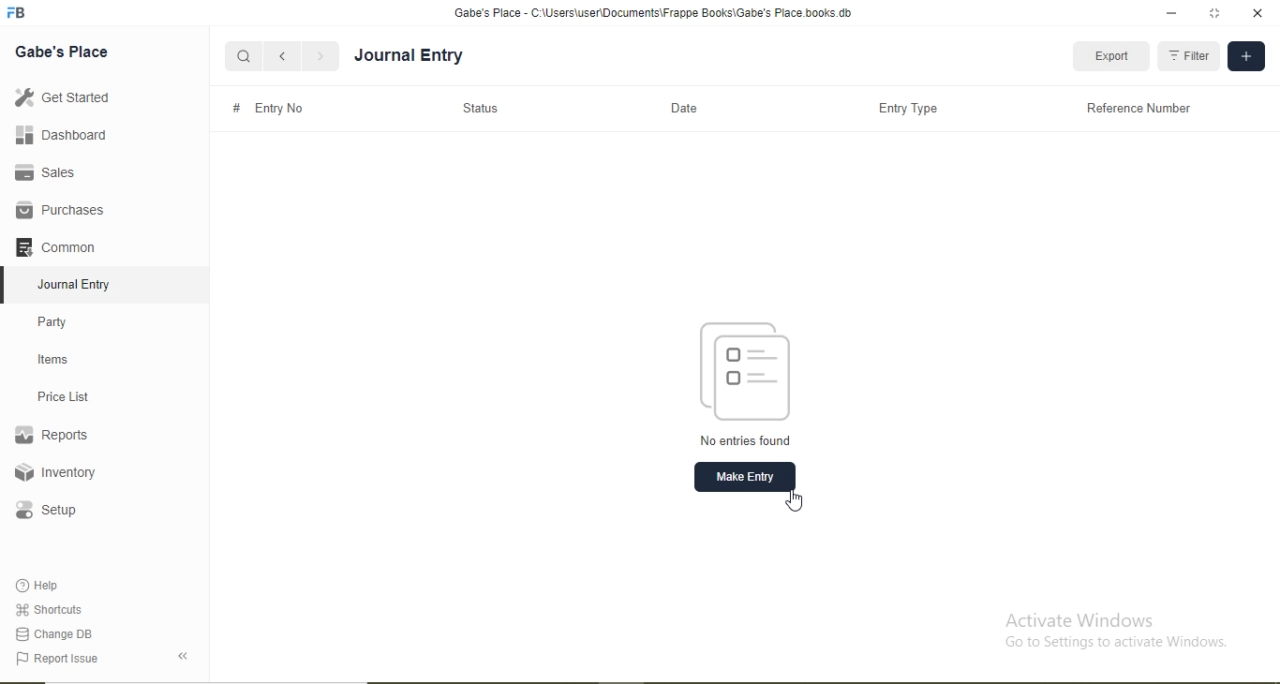  Describe the element at coordinates (61, 96) in the screenshot. I see `Get Started` at that location.